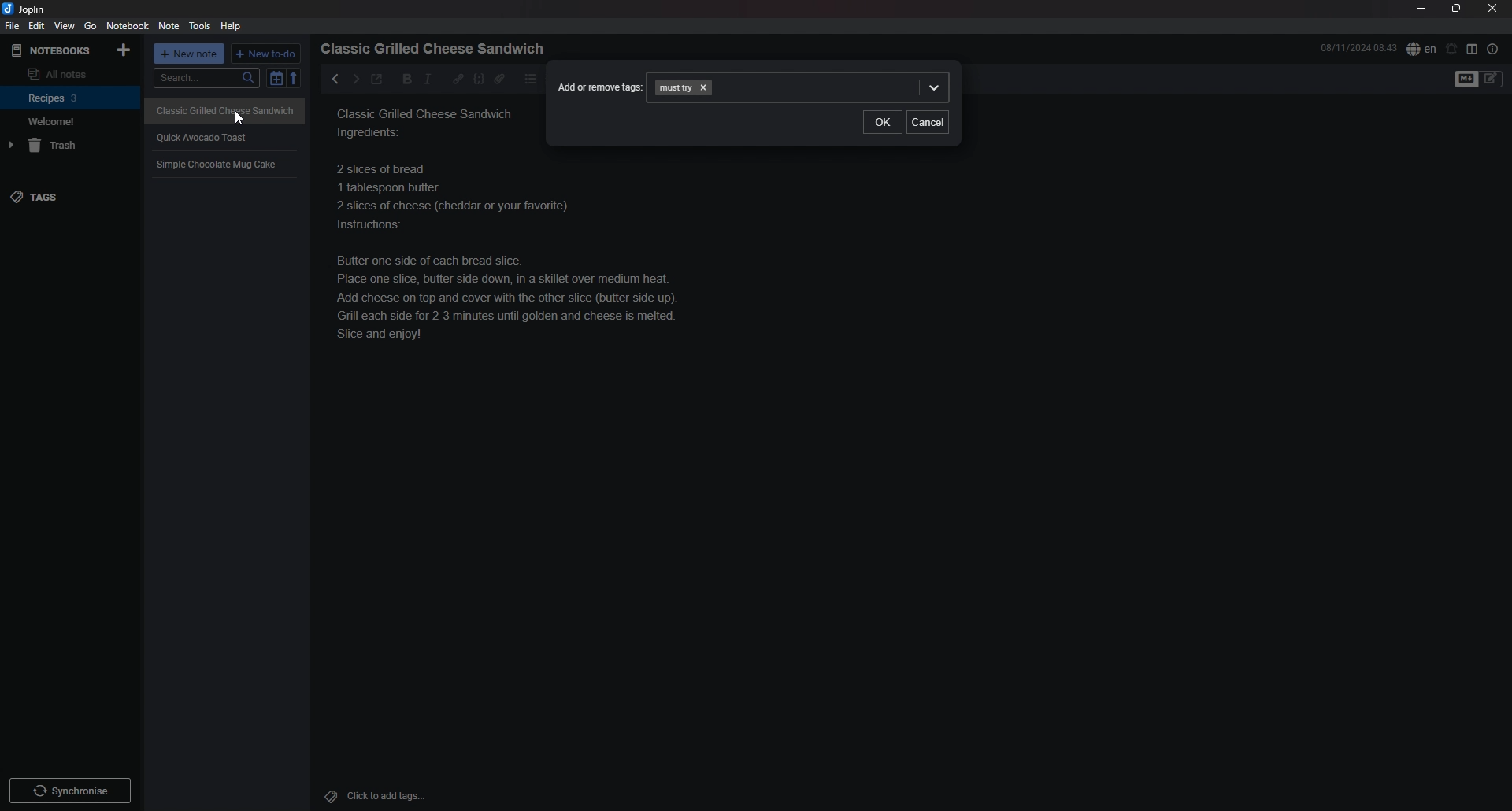 This screenshot has width=1512, height=811. What do you see at coordinates (1421, 48) in the screenshot?
I see `spell check` at bounding box center [1421, 48].